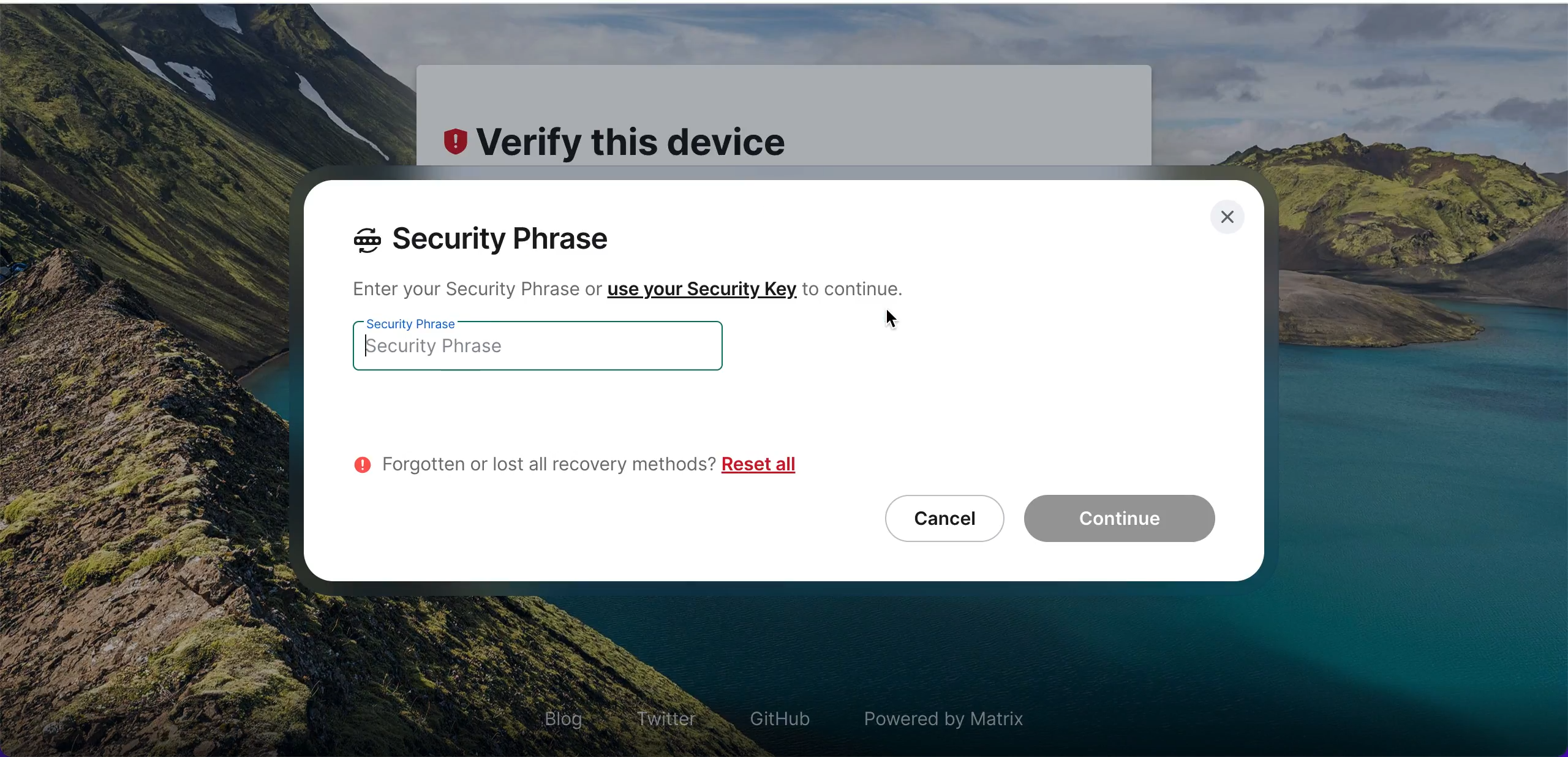  Describe the element at coordinates (937, 518) in the screenshot. I see `cancel` at that location.